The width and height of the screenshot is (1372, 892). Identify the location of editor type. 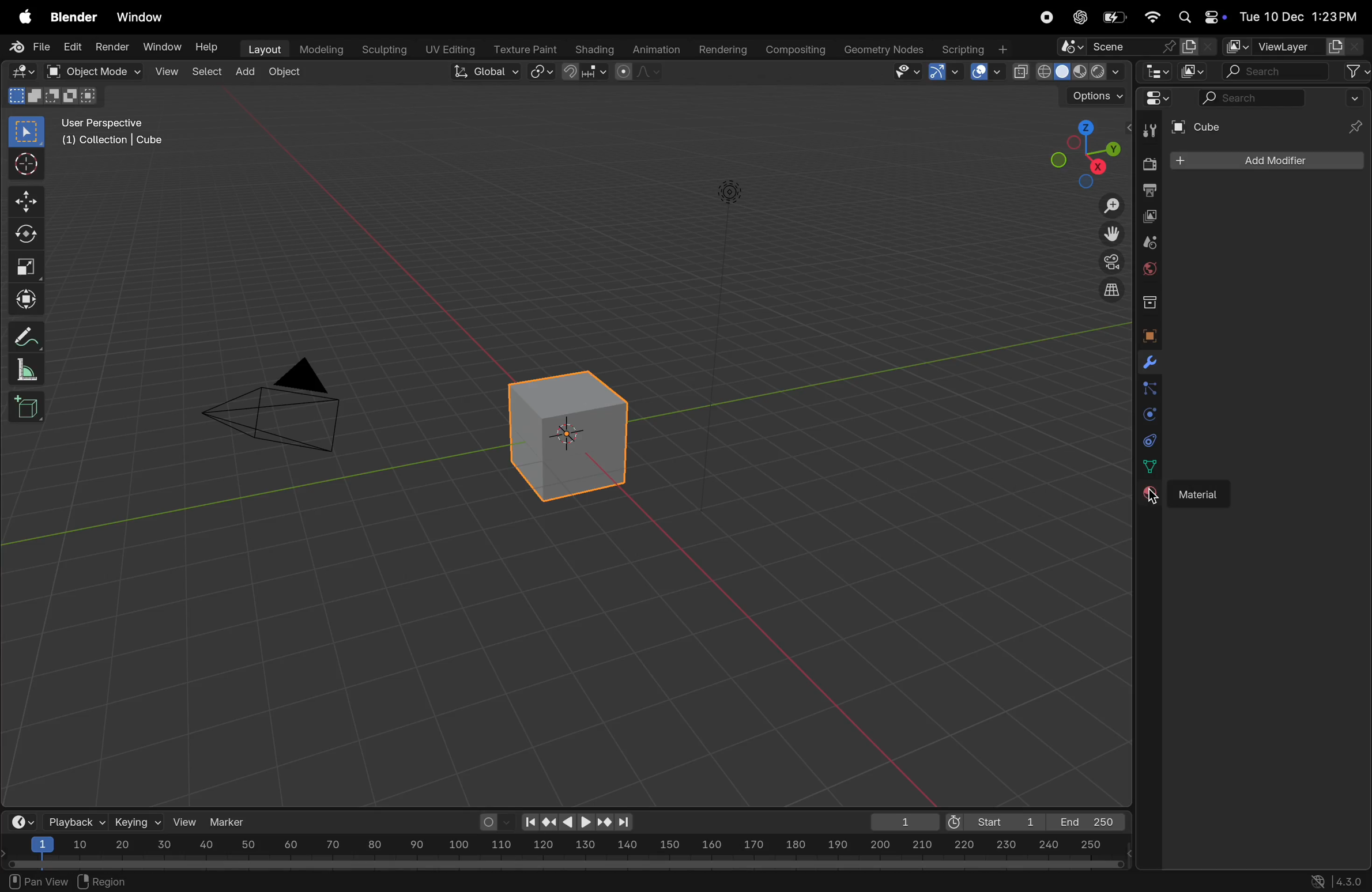
(1159, 73).